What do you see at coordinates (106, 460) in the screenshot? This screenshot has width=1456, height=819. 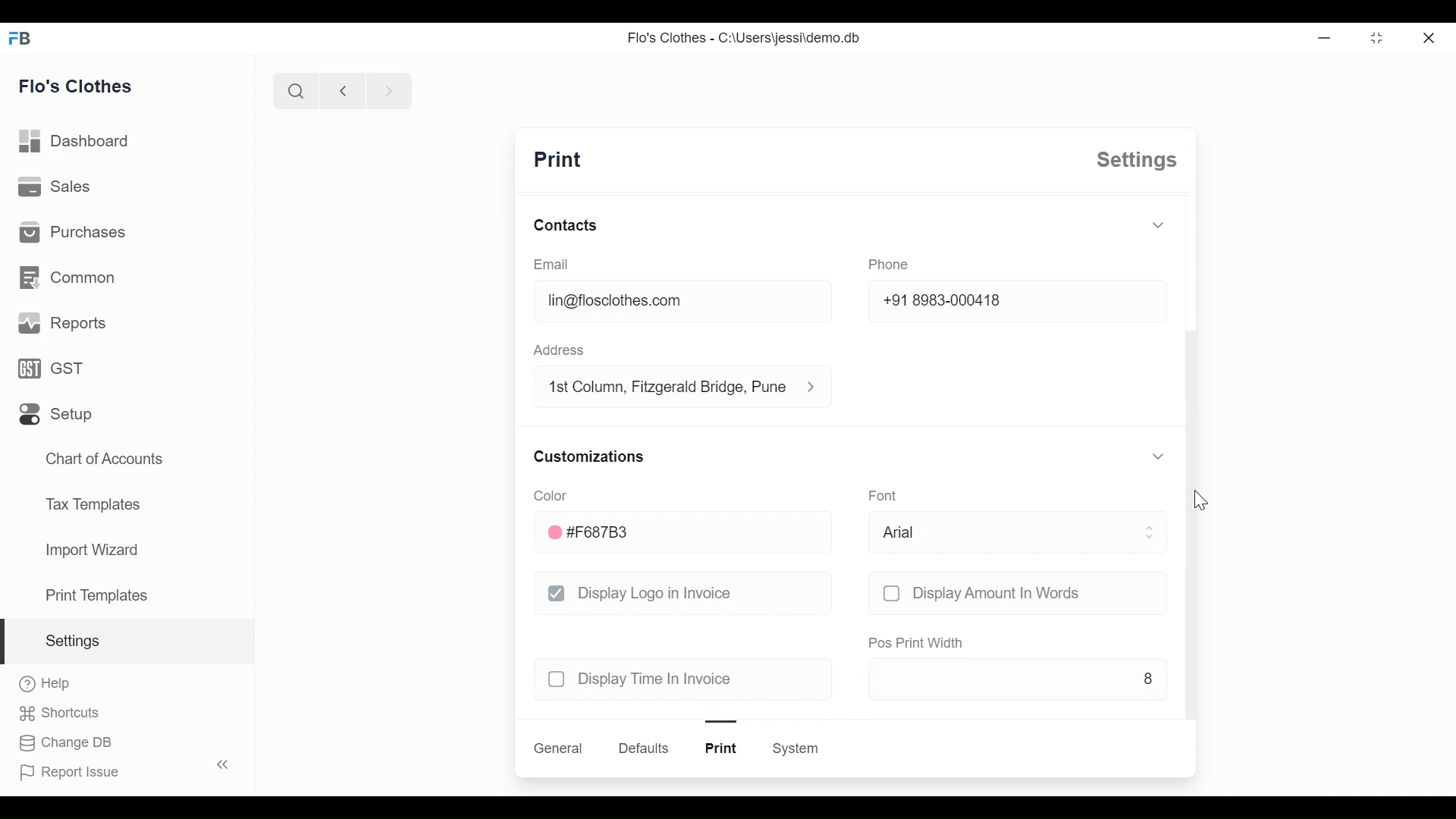 I see `chart of accounts` at bounding box center [106, 460].